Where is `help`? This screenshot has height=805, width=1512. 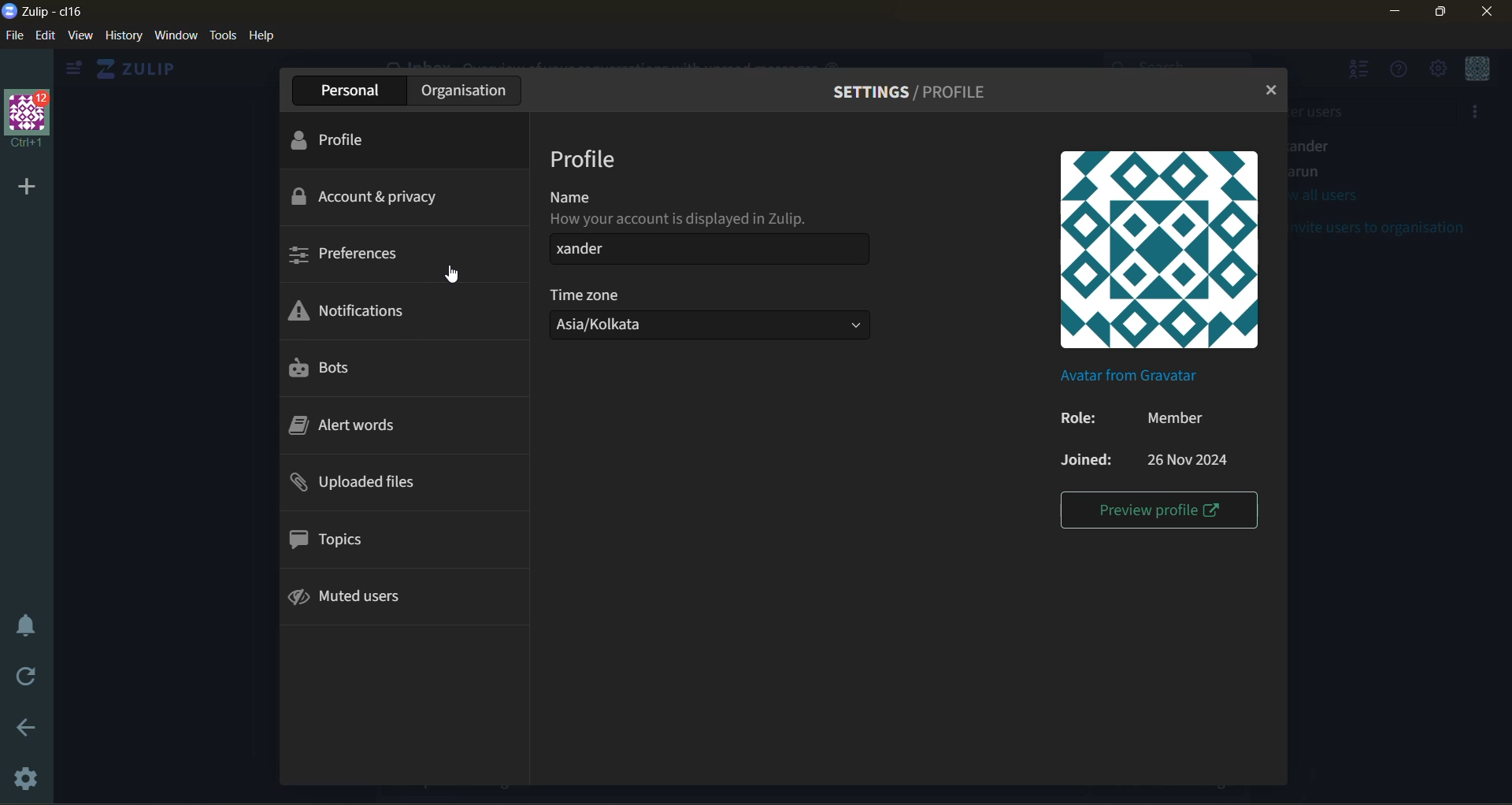
help is located at coordinates (267, 37).